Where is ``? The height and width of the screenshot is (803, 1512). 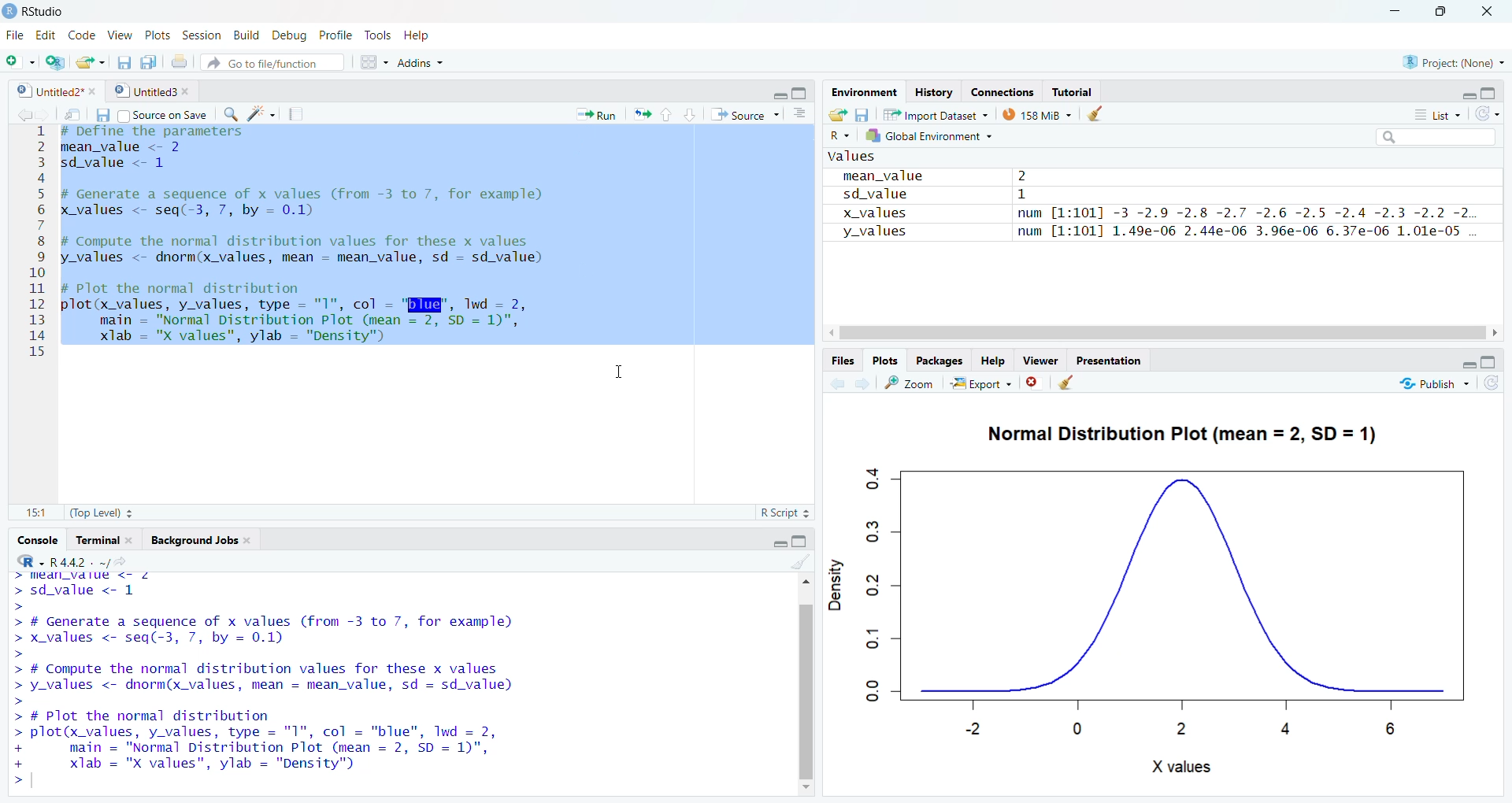  is located at coordinates (372, 60).